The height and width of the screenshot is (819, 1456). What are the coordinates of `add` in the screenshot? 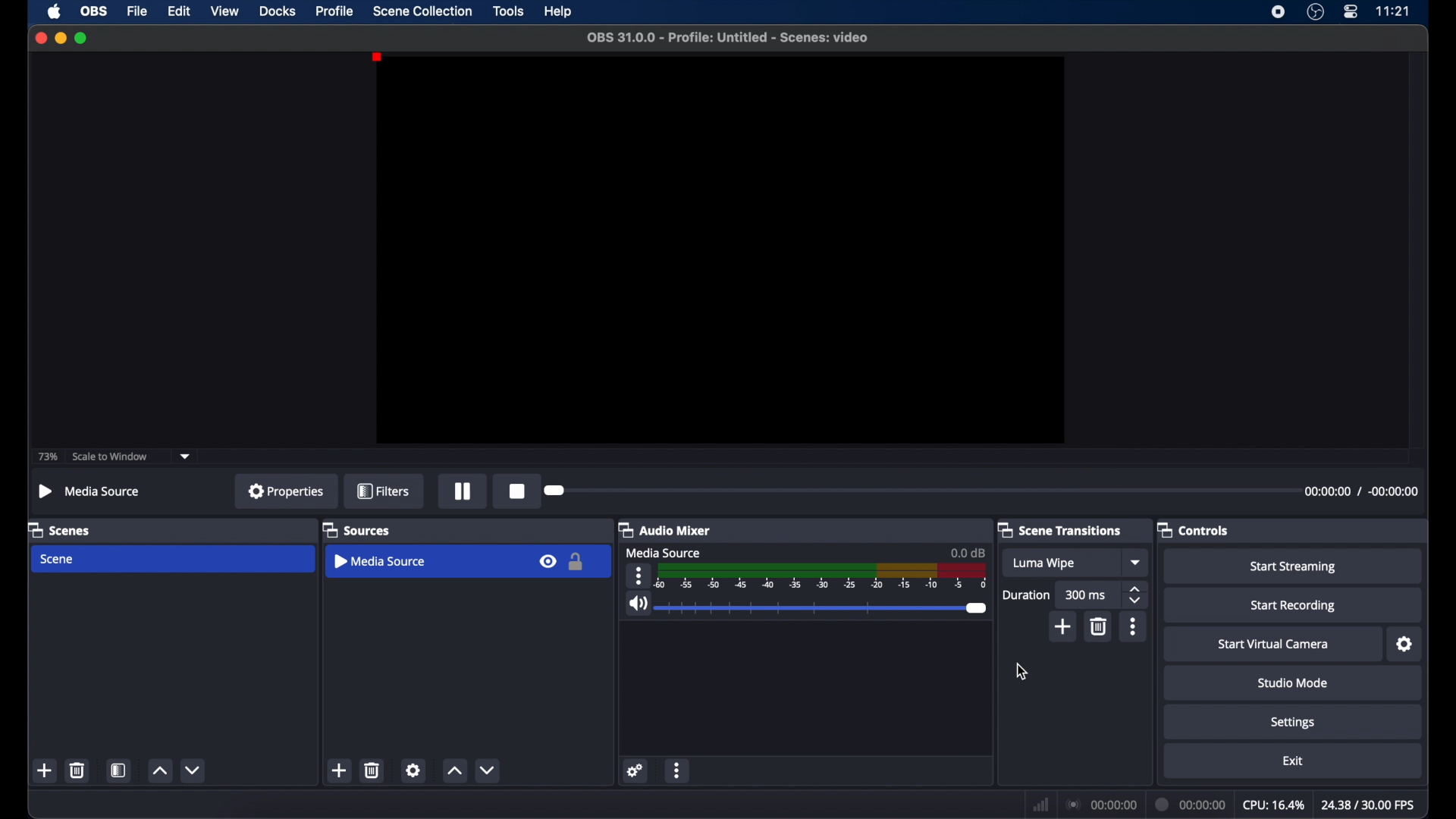 It's located at (1064, 626).